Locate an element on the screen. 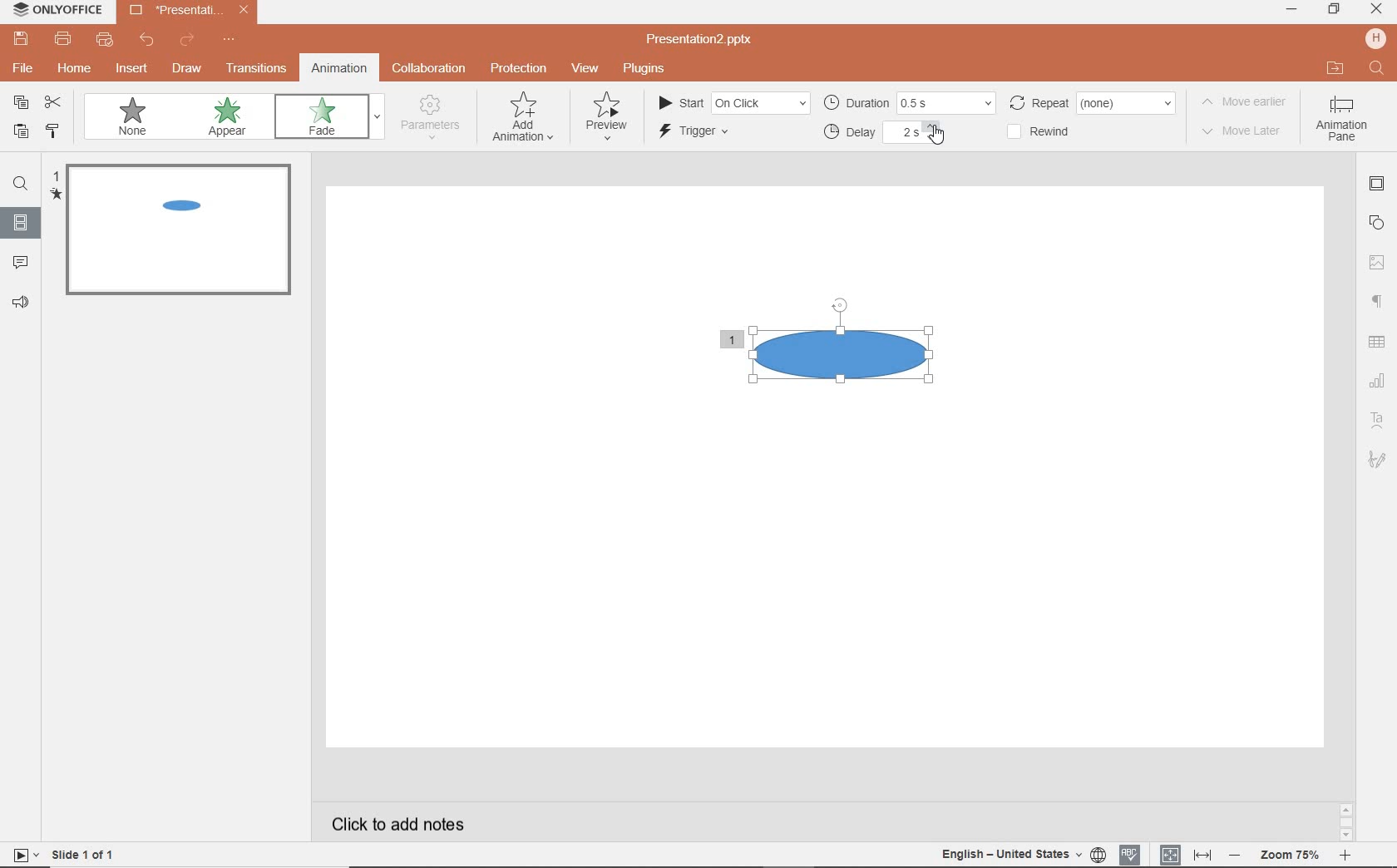  customize quick access toolbar is located at coordinates (229, 39).